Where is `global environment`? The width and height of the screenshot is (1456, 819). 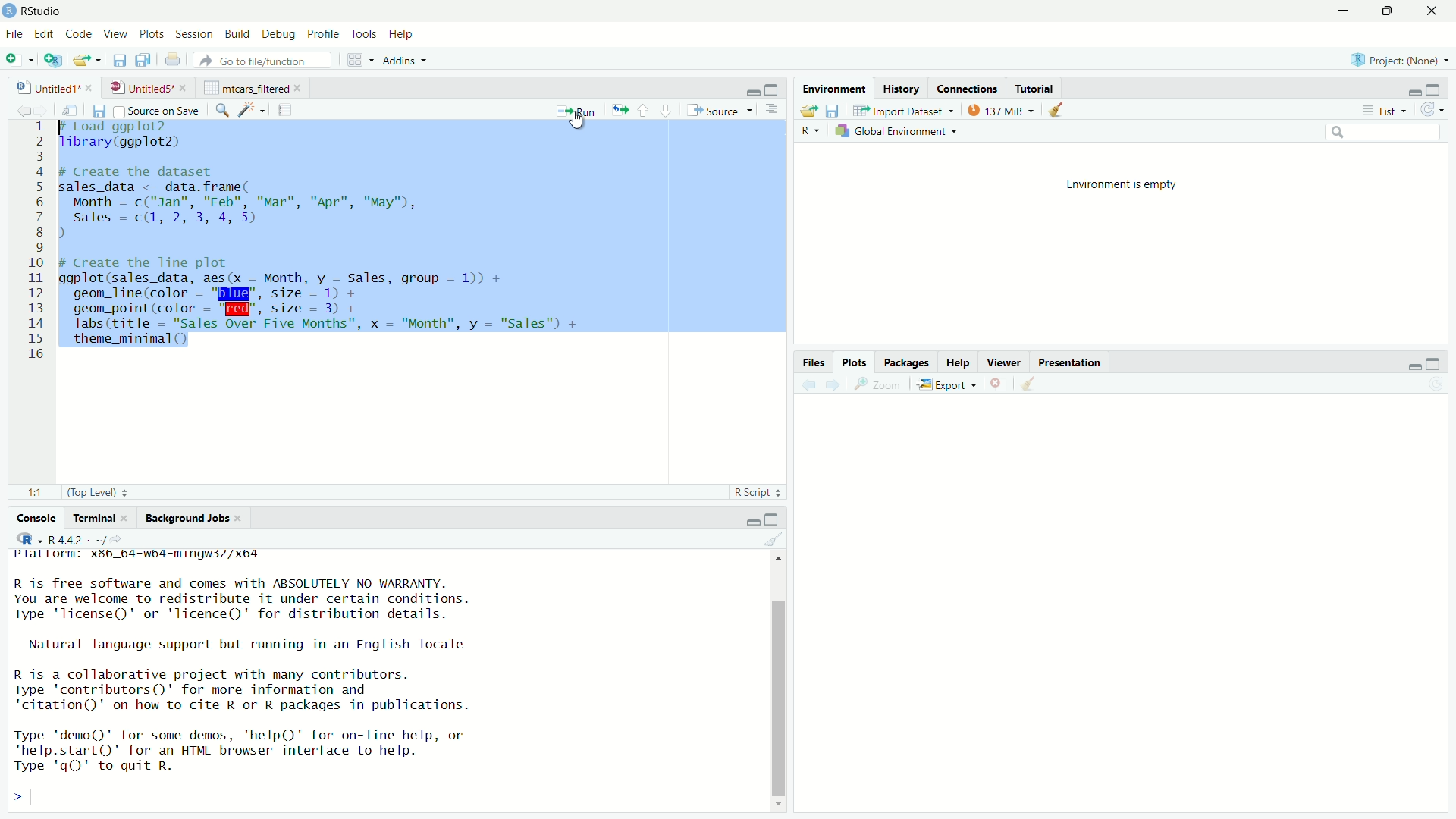 global environment is located at coordinates (893, 132).